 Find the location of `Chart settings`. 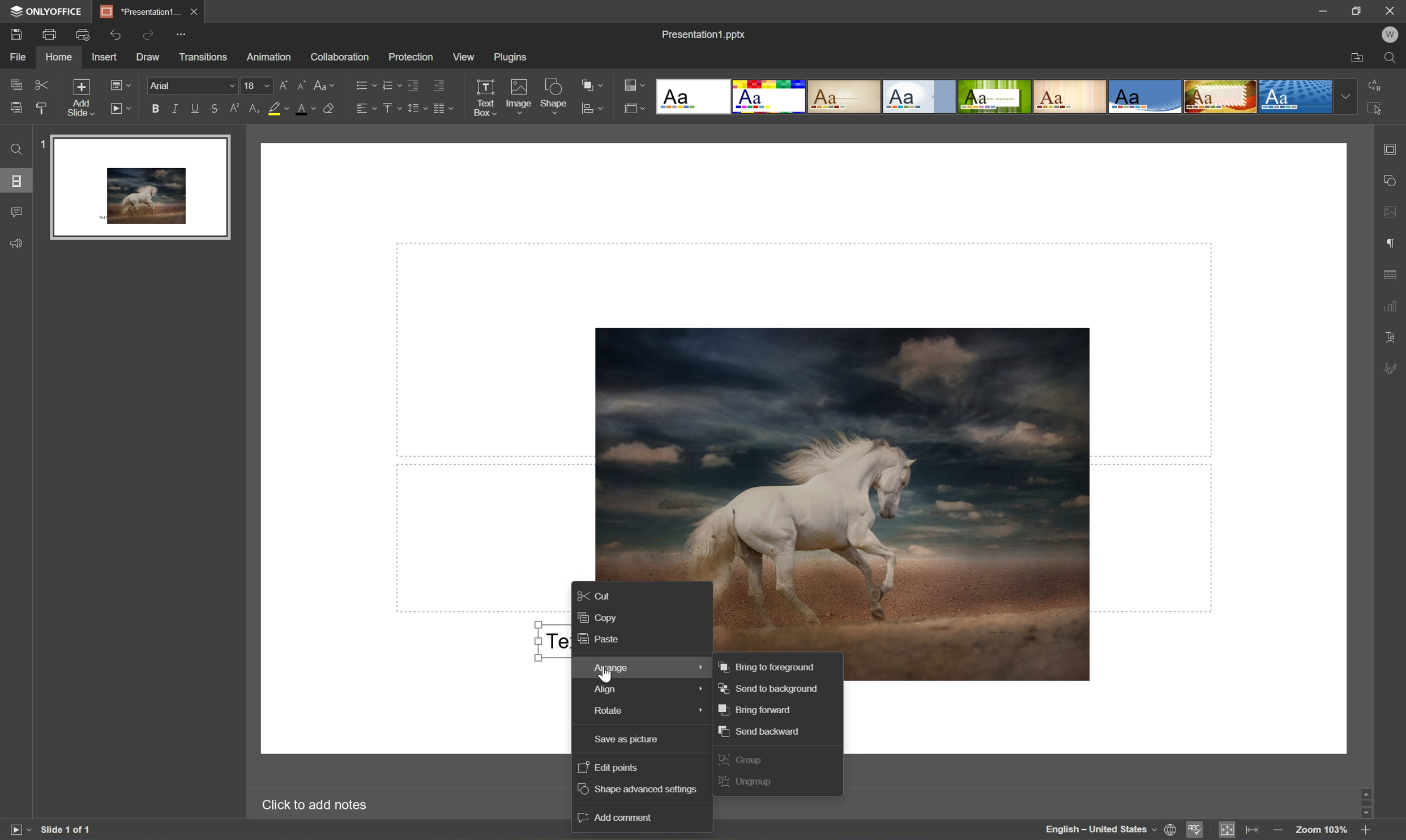

Chart settings is located at coordinates (1393, 306).